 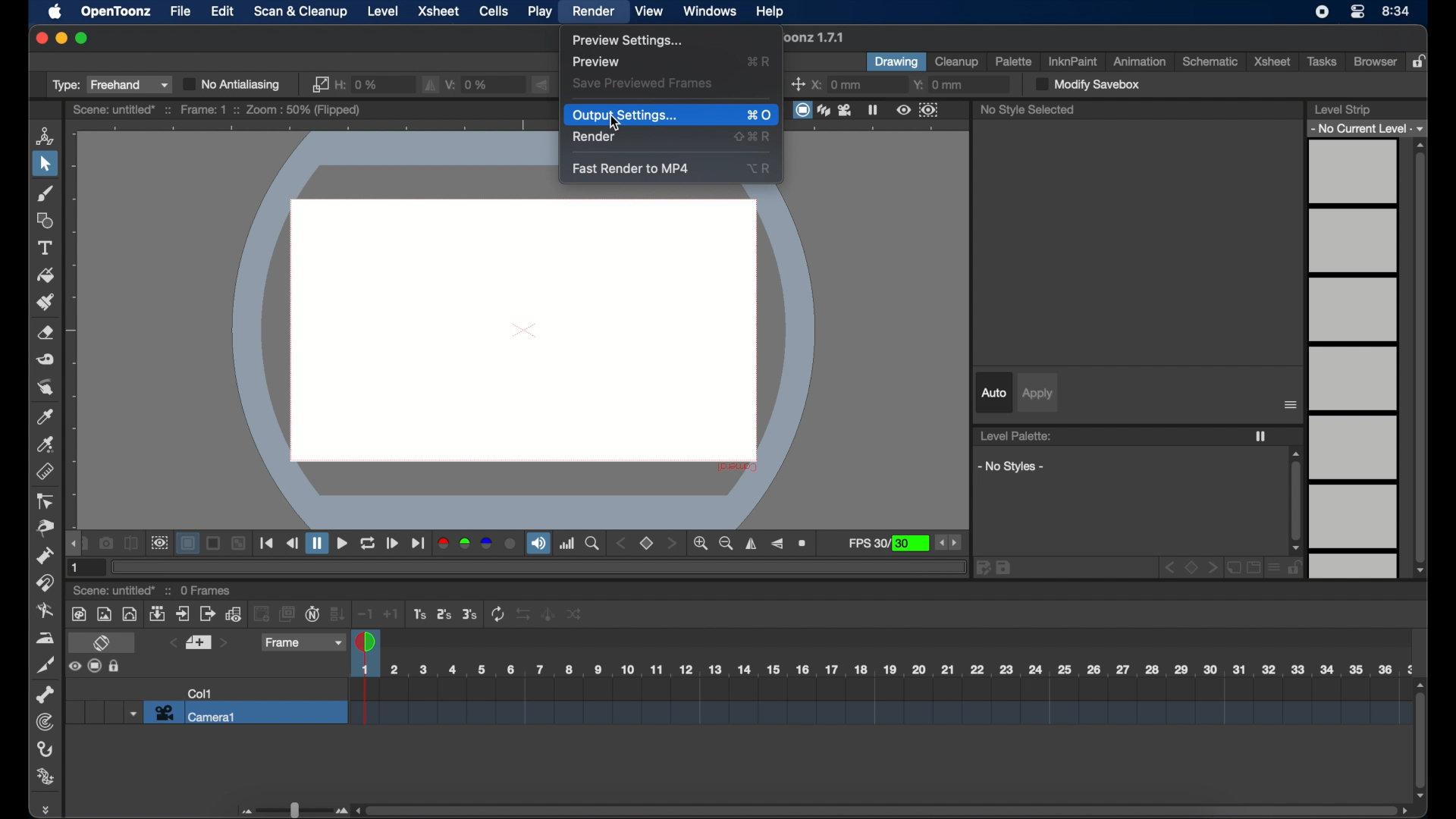 What do you see at coordinates (1296, 500) in the screenshot?
I see `scroll box` at bounding box center [1296, 500].